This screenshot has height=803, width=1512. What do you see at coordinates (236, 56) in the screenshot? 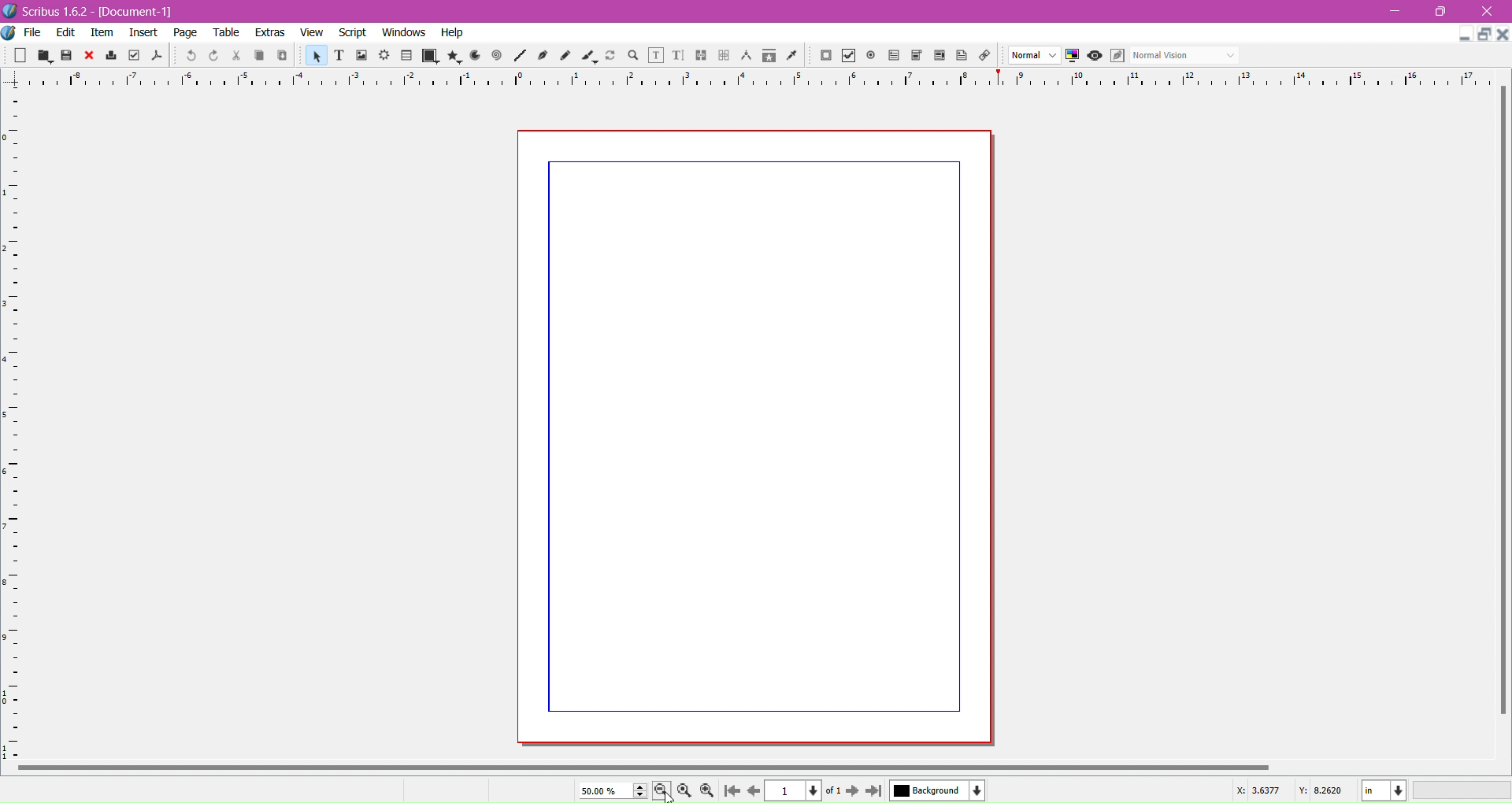
I see `Cut` at bounding box center [236, 56].